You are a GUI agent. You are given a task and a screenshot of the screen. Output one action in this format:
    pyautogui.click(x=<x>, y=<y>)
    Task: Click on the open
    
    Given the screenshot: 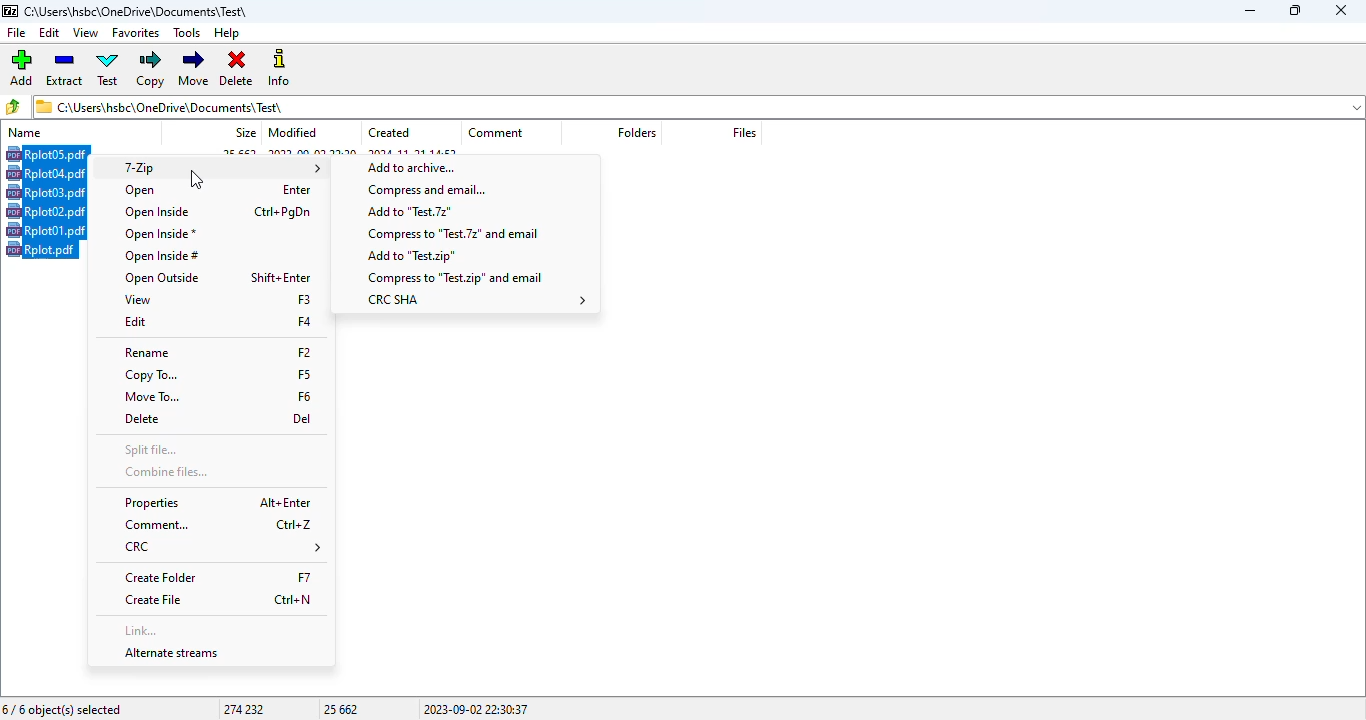 What is the action you would take?
    pyautogui.click(x=220, y=191)
    